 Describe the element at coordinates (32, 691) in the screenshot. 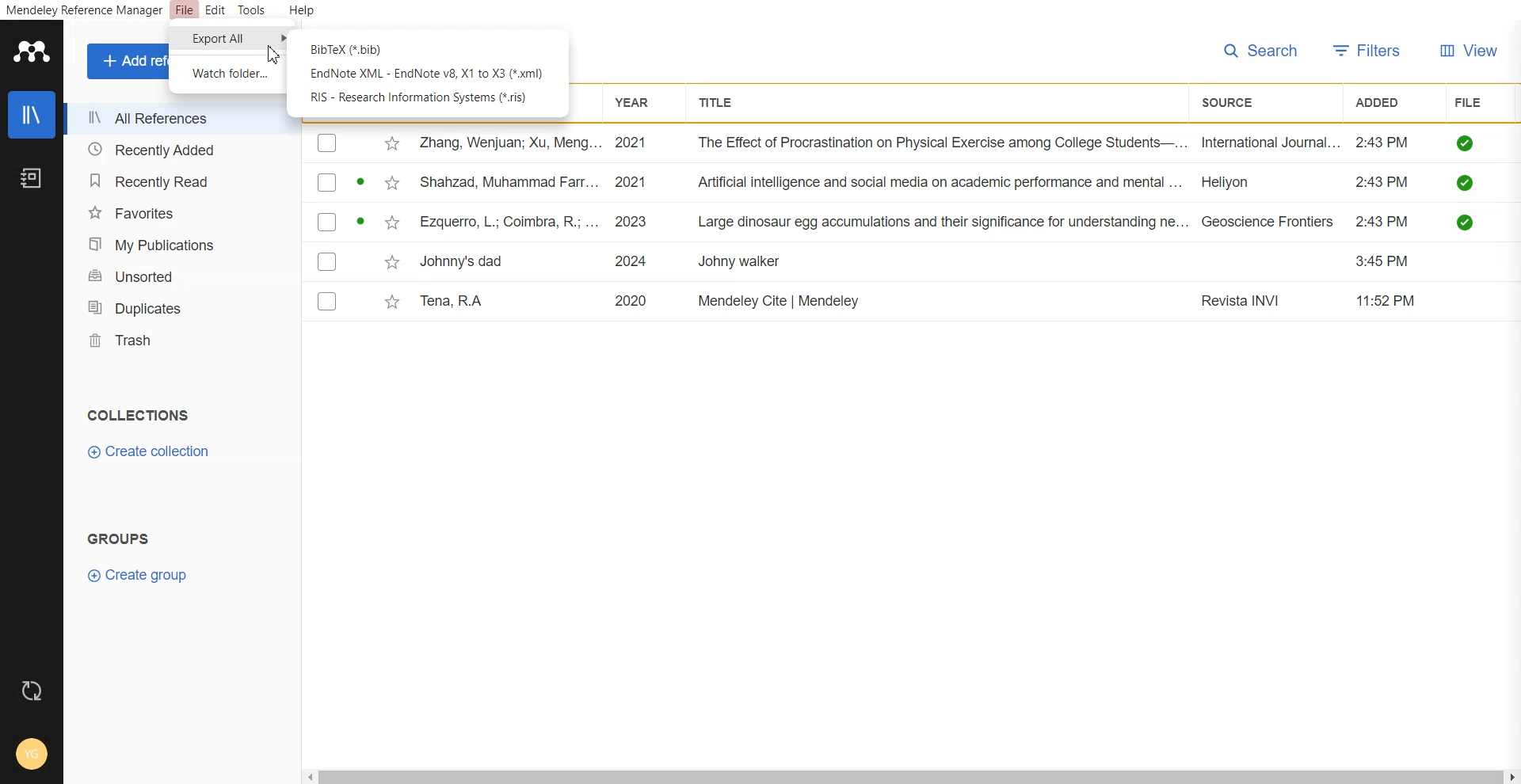

I see `Auto sync` at that location.